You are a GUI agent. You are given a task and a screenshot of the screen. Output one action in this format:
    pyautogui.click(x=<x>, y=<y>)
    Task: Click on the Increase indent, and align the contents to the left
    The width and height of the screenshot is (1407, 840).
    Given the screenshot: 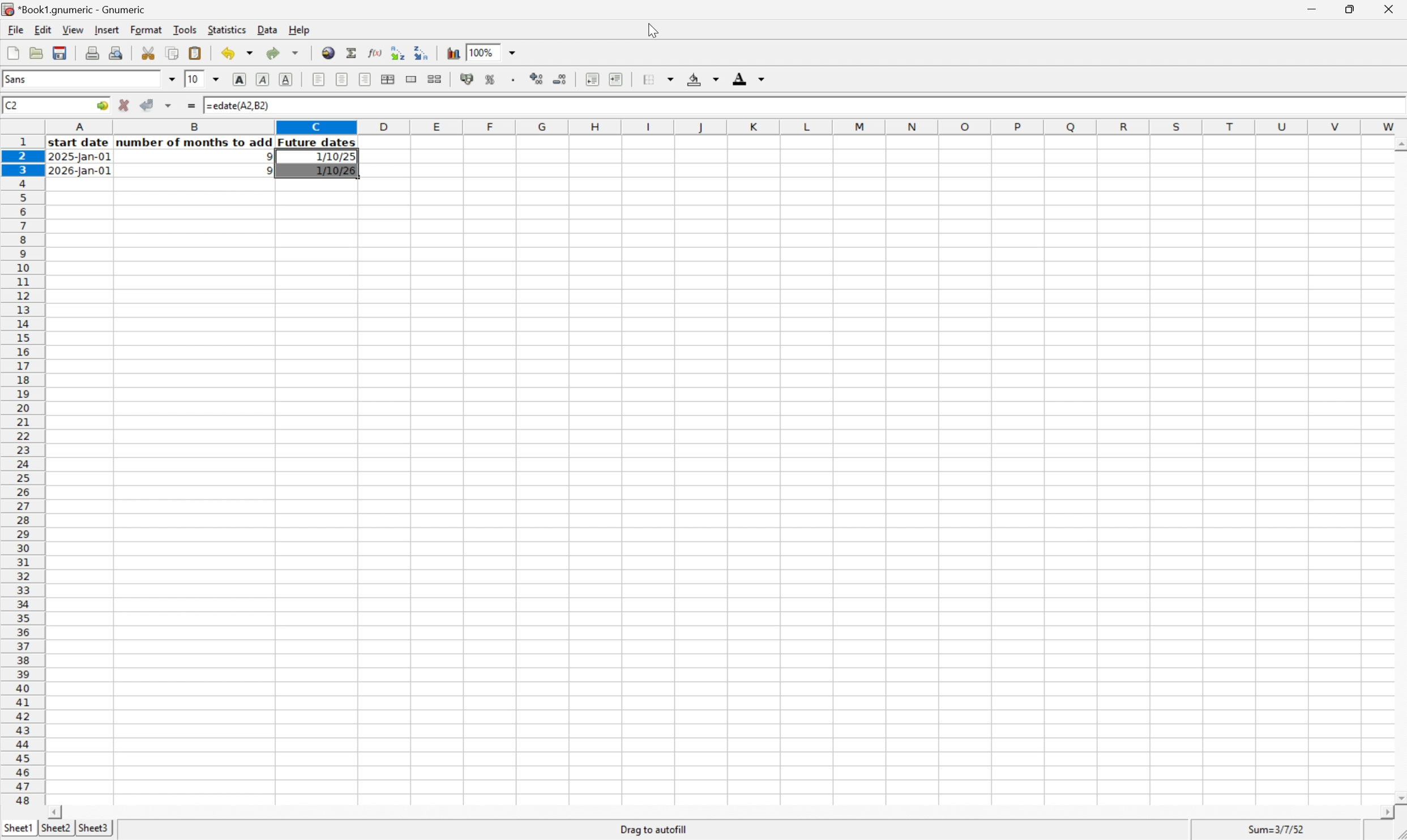 What is the action you would take?
    pyautogui.click(x=615, y=79)
    